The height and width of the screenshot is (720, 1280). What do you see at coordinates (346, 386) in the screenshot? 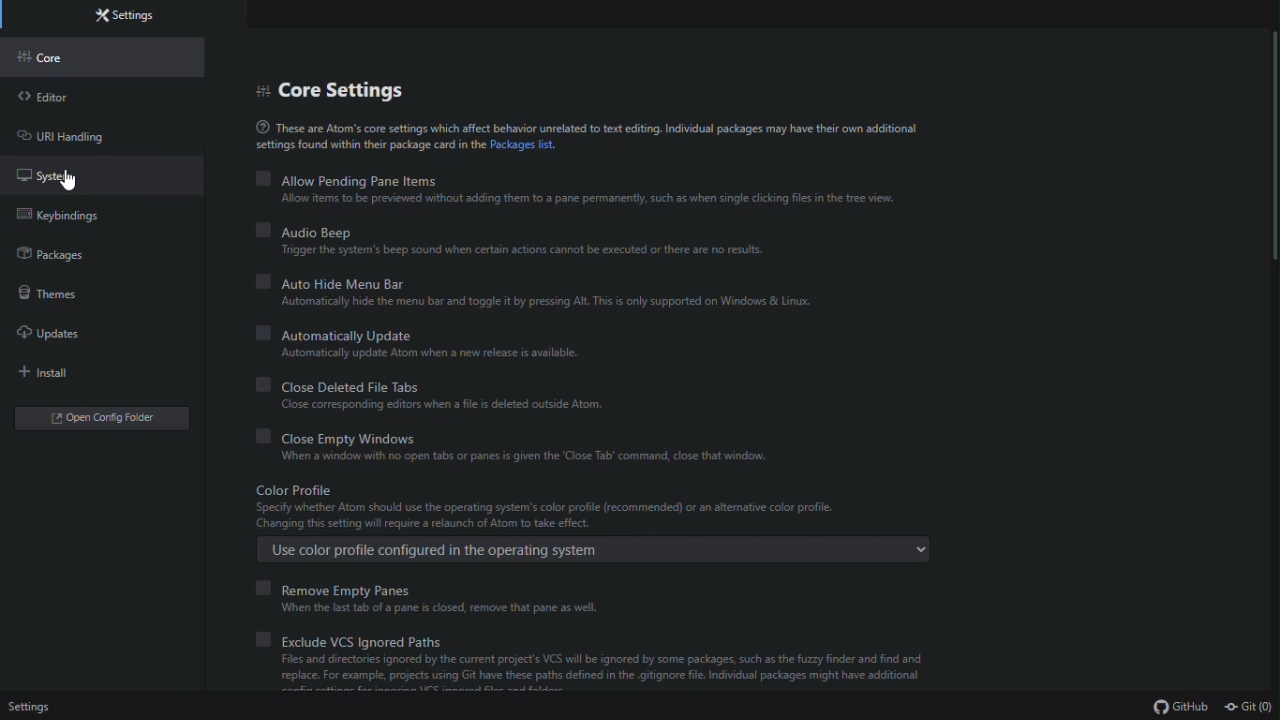
I see `Close Deleted File Tabs` at bounding box center [346, 386].